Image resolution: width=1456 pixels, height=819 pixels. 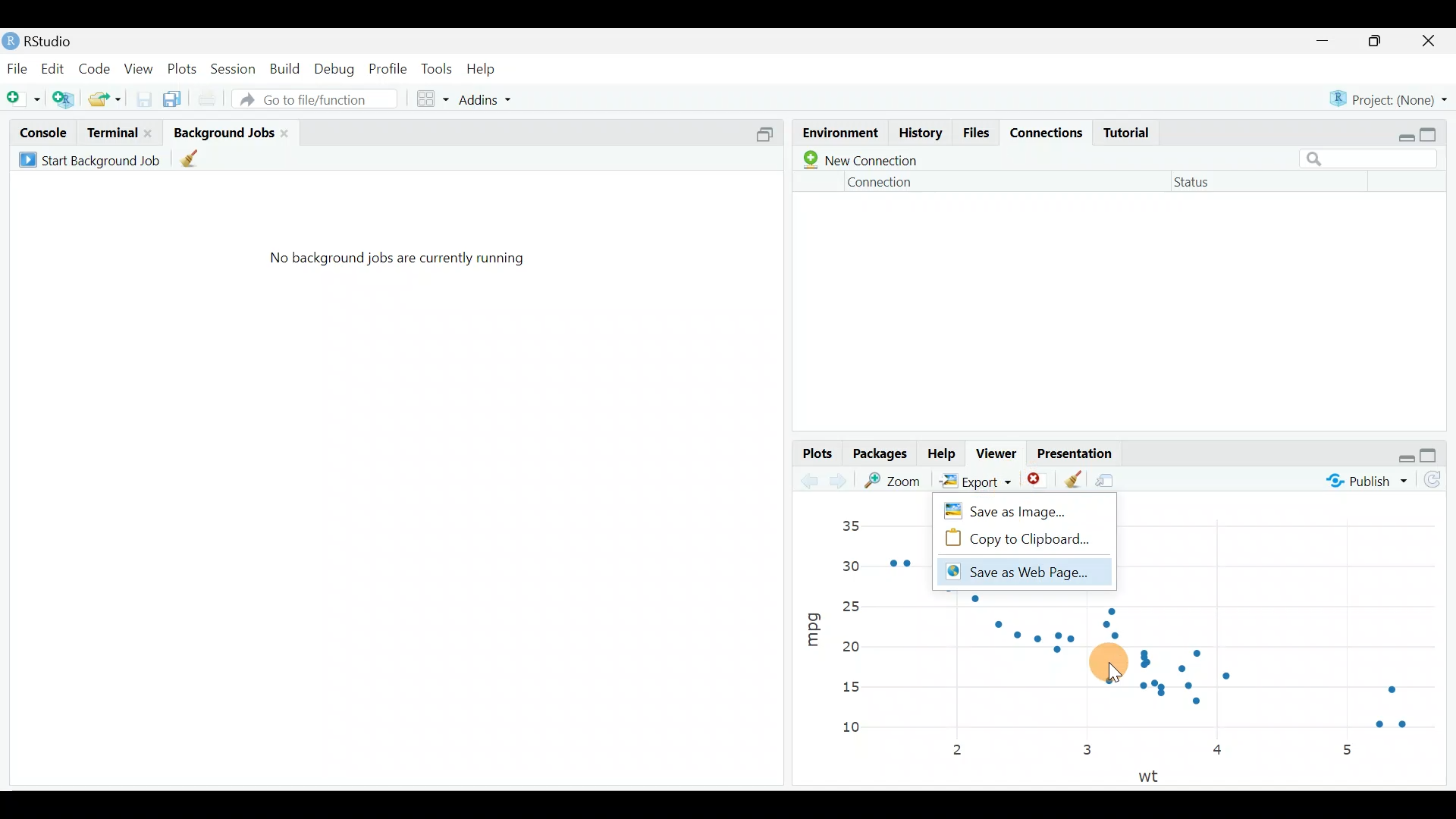 I want to click on close terminal, so click(x=151, y=129).